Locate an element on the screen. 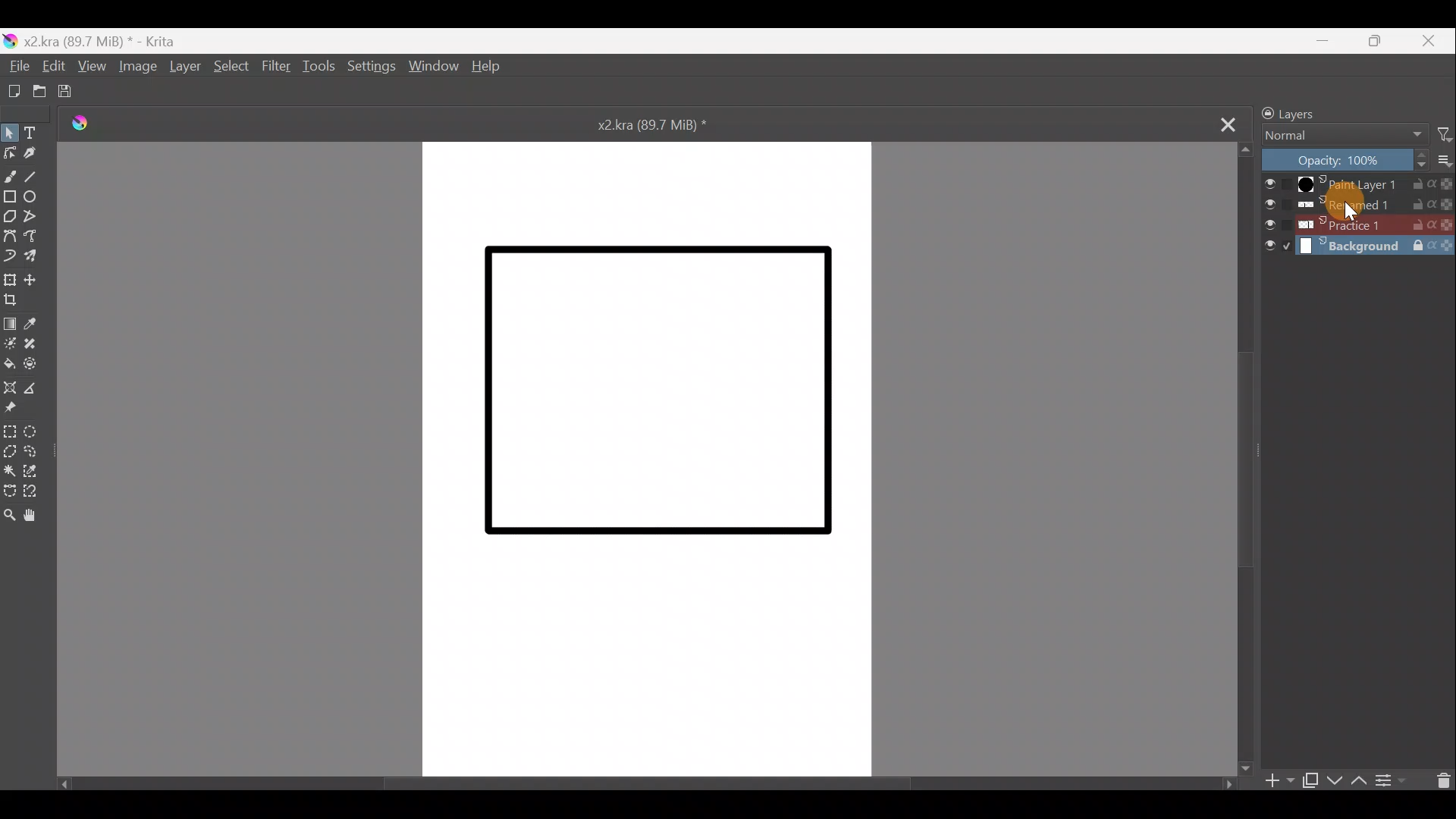 Image resolution: width=1456 pixels, height=819 pixels. Background is located at coordinates (1357, 248).